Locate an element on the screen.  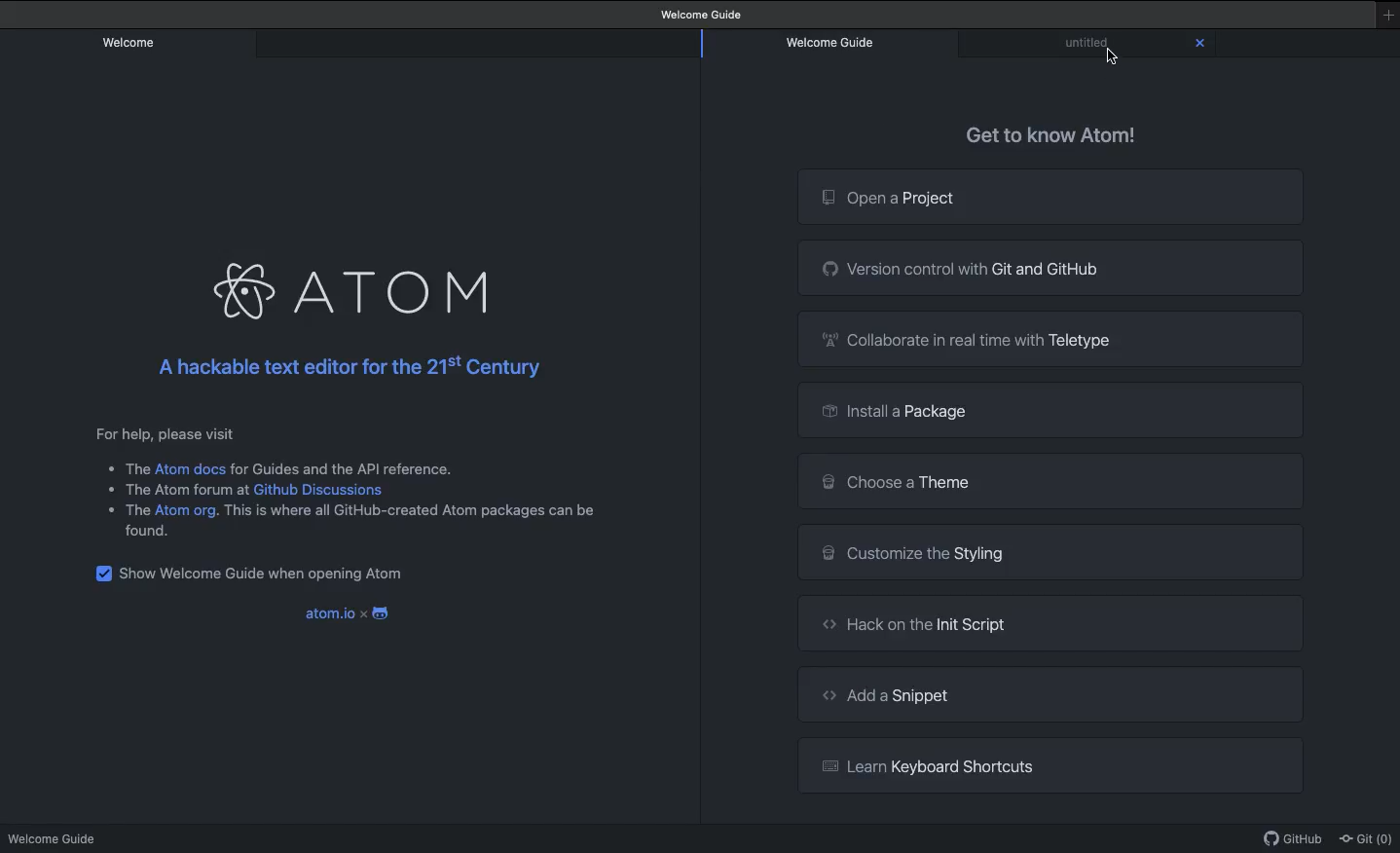
Open a project is located at coordinates (1050, 198).